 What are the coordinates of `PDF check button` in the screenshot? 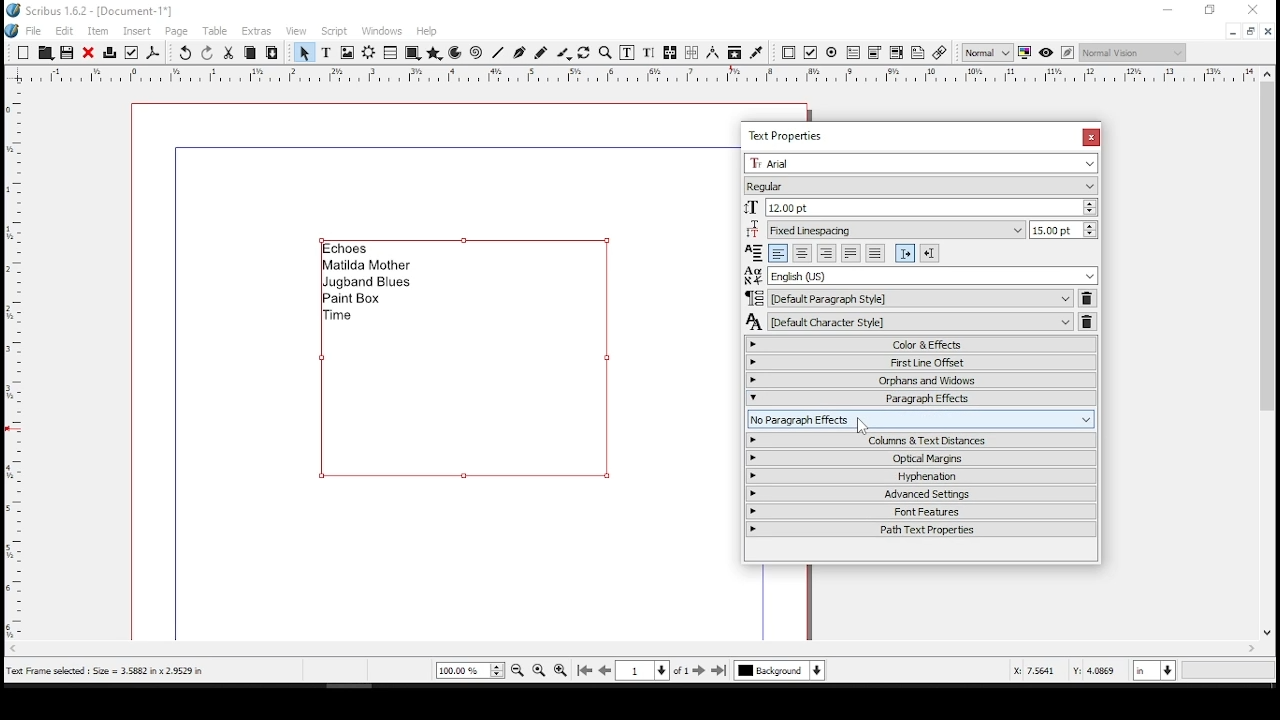 It's located at (811, 53).